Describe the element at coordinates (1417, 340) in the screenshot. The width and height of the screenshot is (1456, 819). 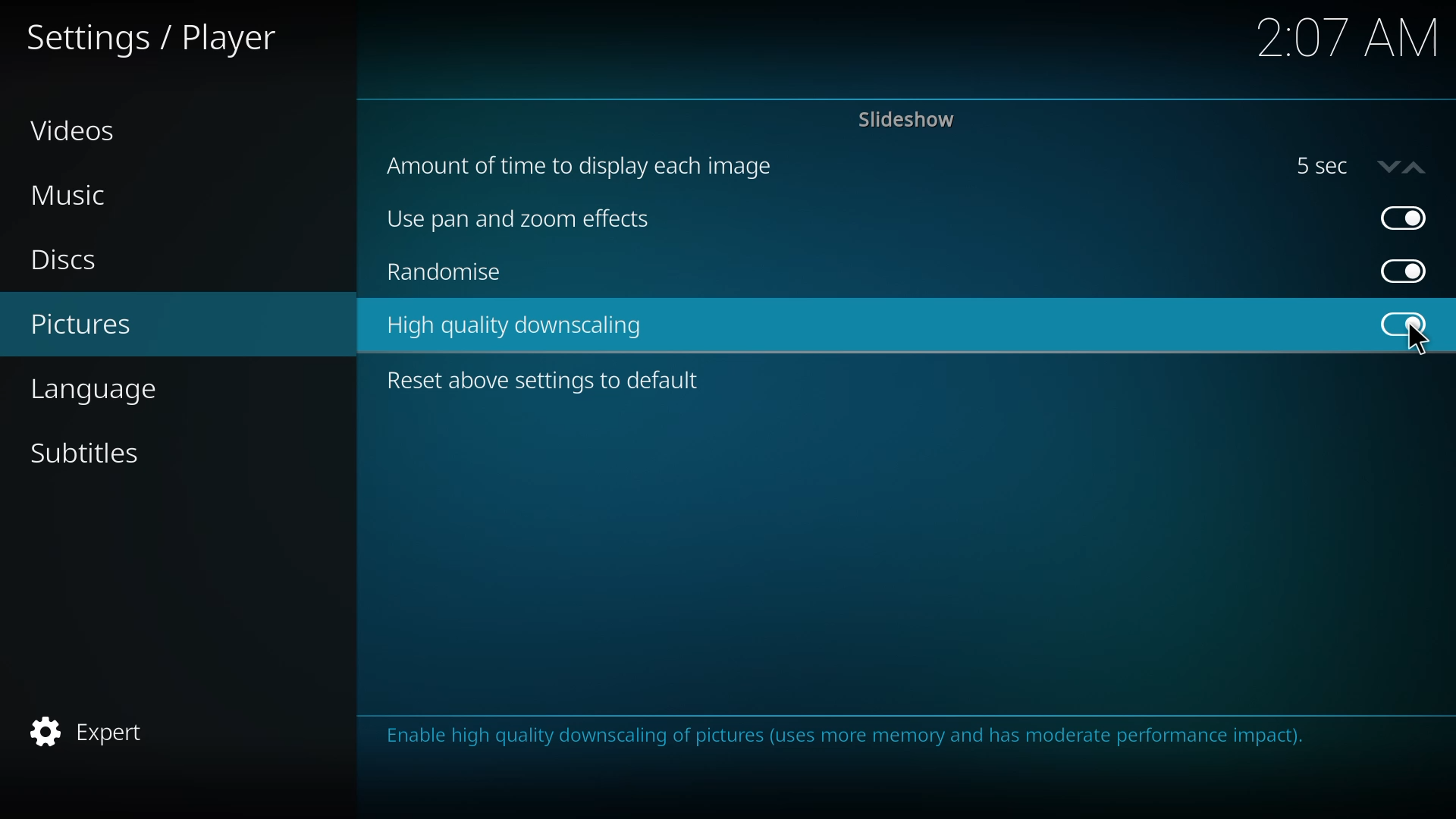
I see `cursor` at that location.